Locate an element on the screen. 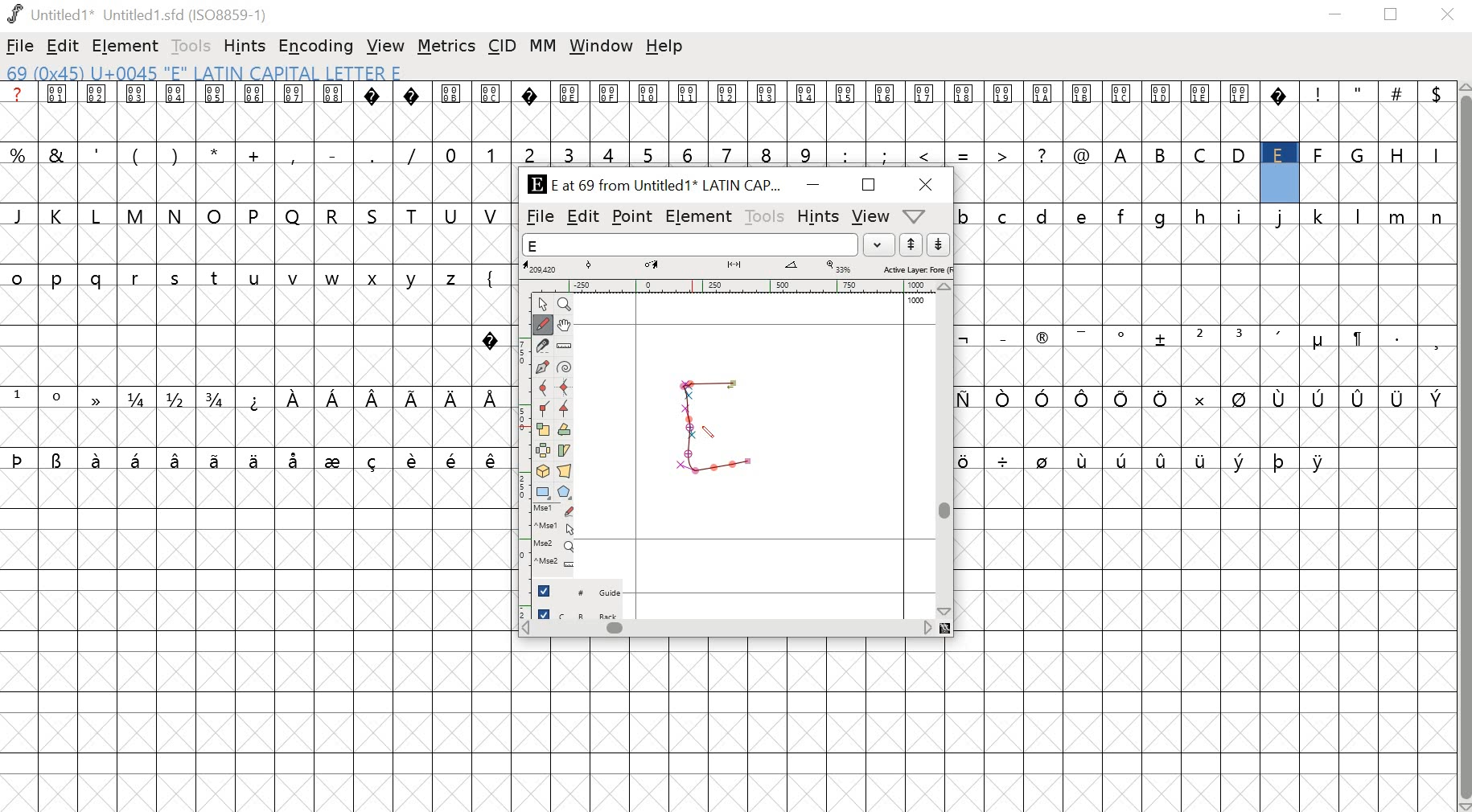 The width and height of the screenshot is (1472, 812). file is located at coordinates (20, 47).